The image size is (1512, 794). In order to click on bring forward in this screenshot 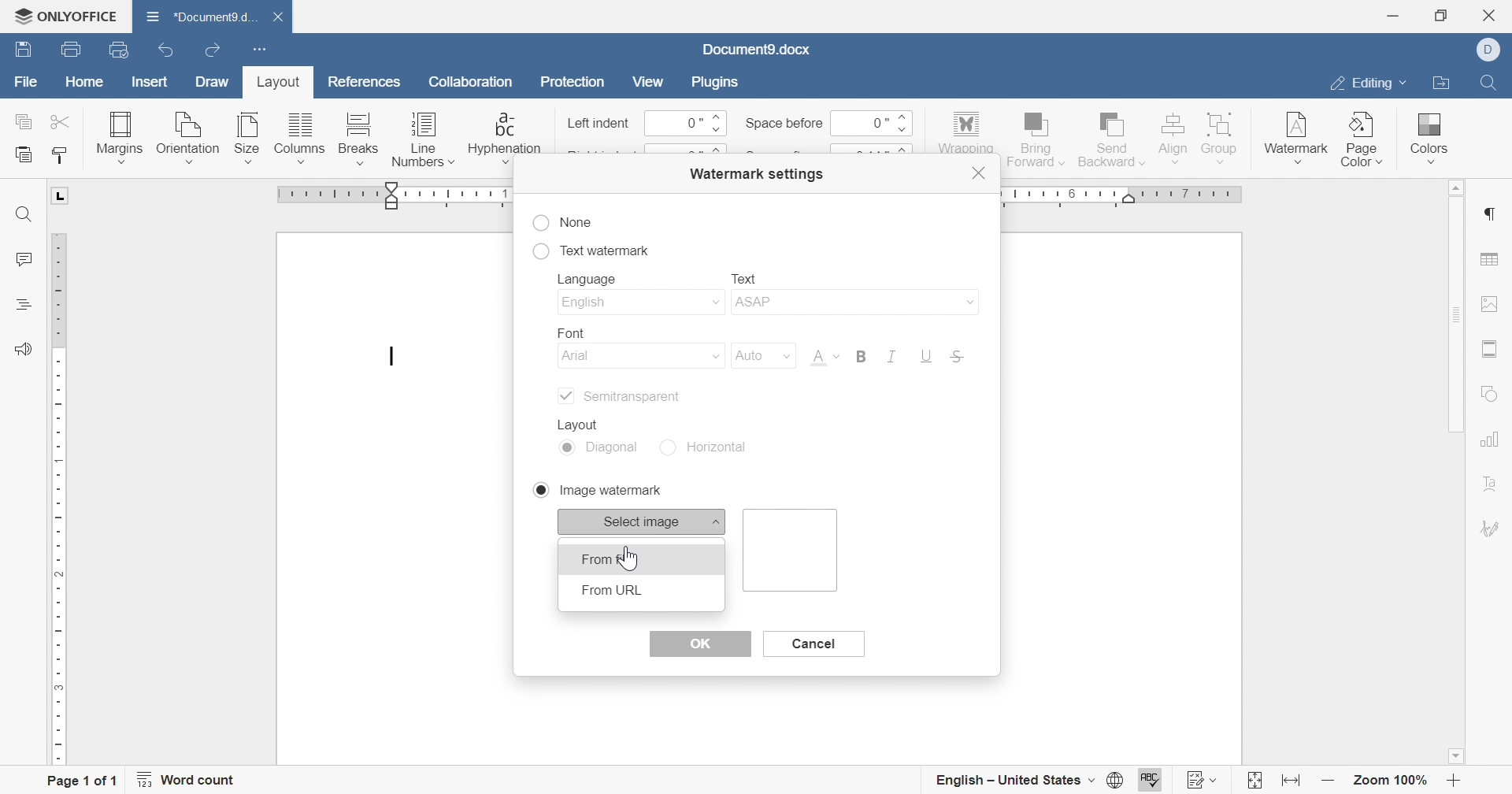, I will do `click(1034, 137)`.